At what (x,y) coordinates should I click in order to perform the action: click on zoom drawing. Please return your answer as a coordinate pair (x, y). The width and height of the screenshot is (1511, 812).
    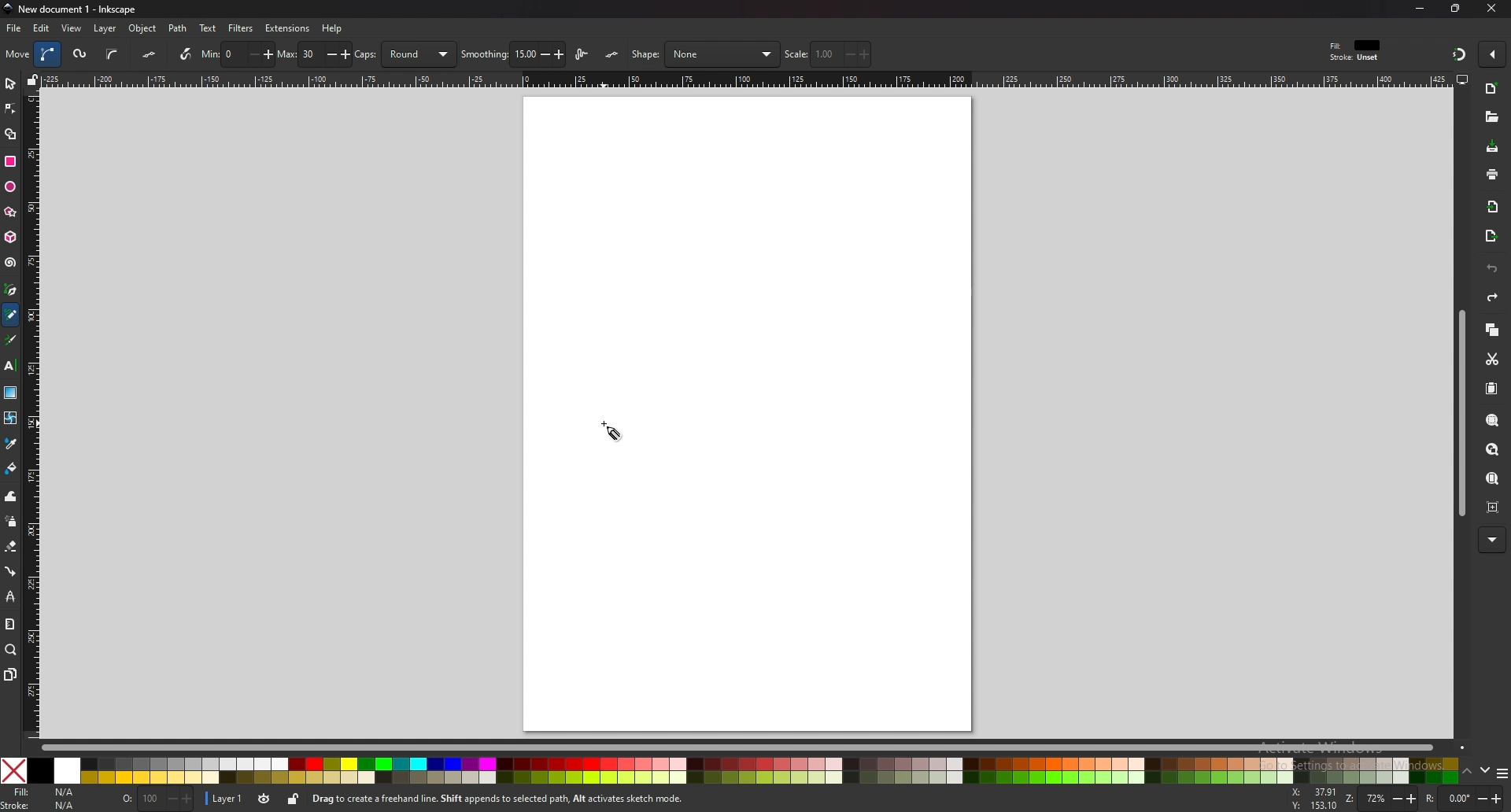
    Looking at the image, I should click on (1493, 451).